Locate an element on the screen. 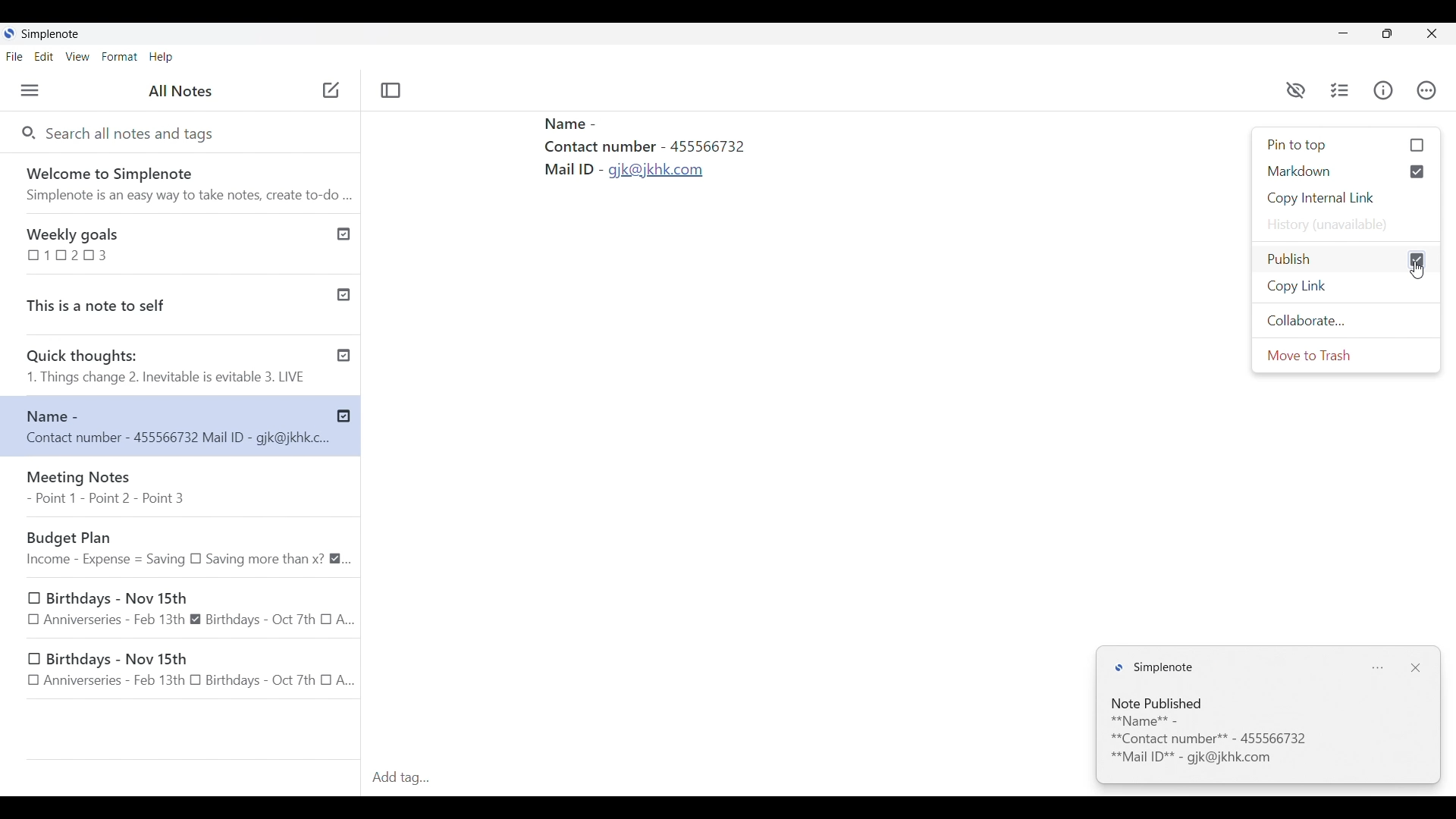  Software logo is located at coordinates (9, 33).